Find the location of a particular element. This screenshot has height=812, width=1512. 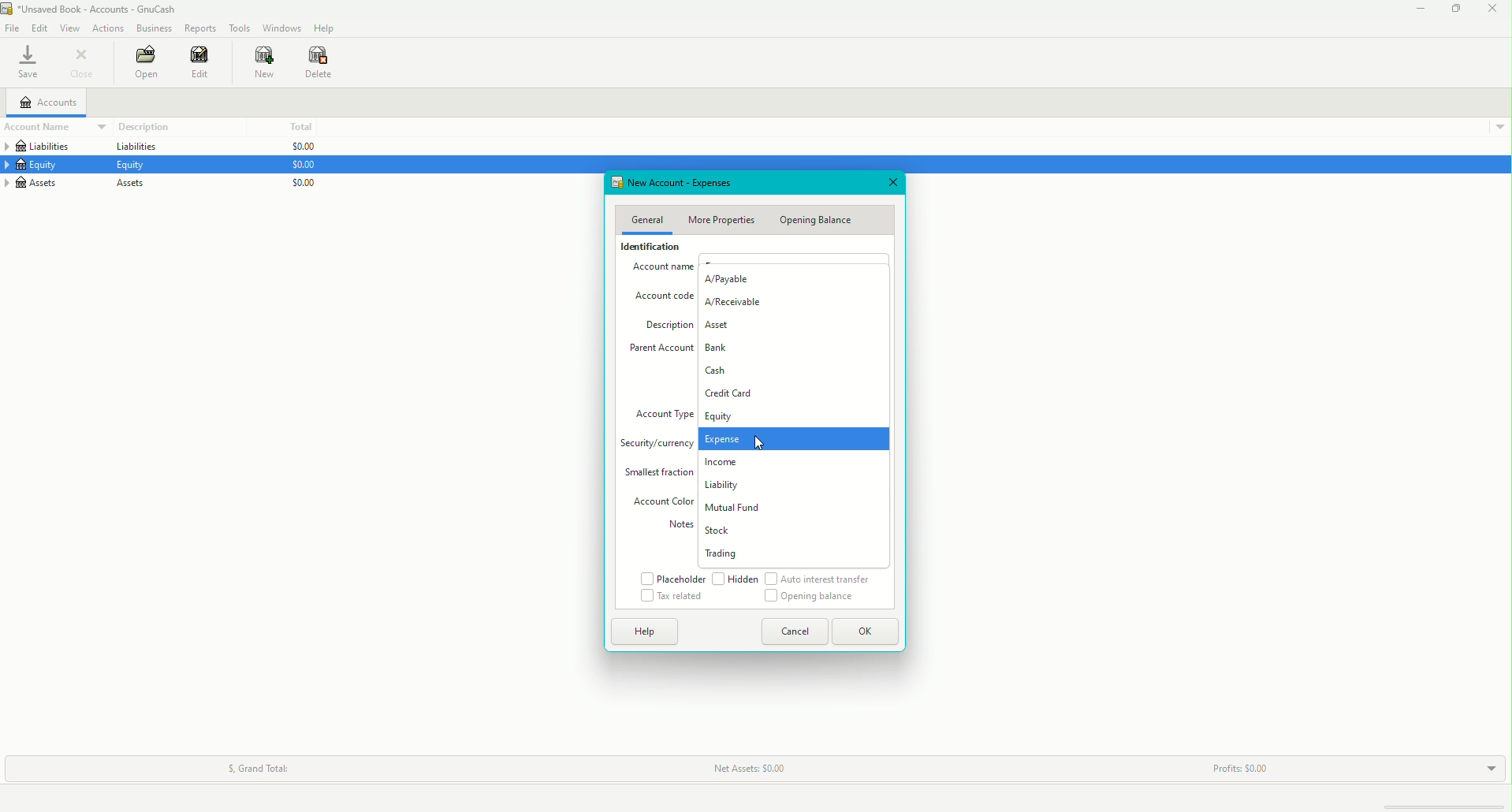

Edit is located at coordinates (203, 64).